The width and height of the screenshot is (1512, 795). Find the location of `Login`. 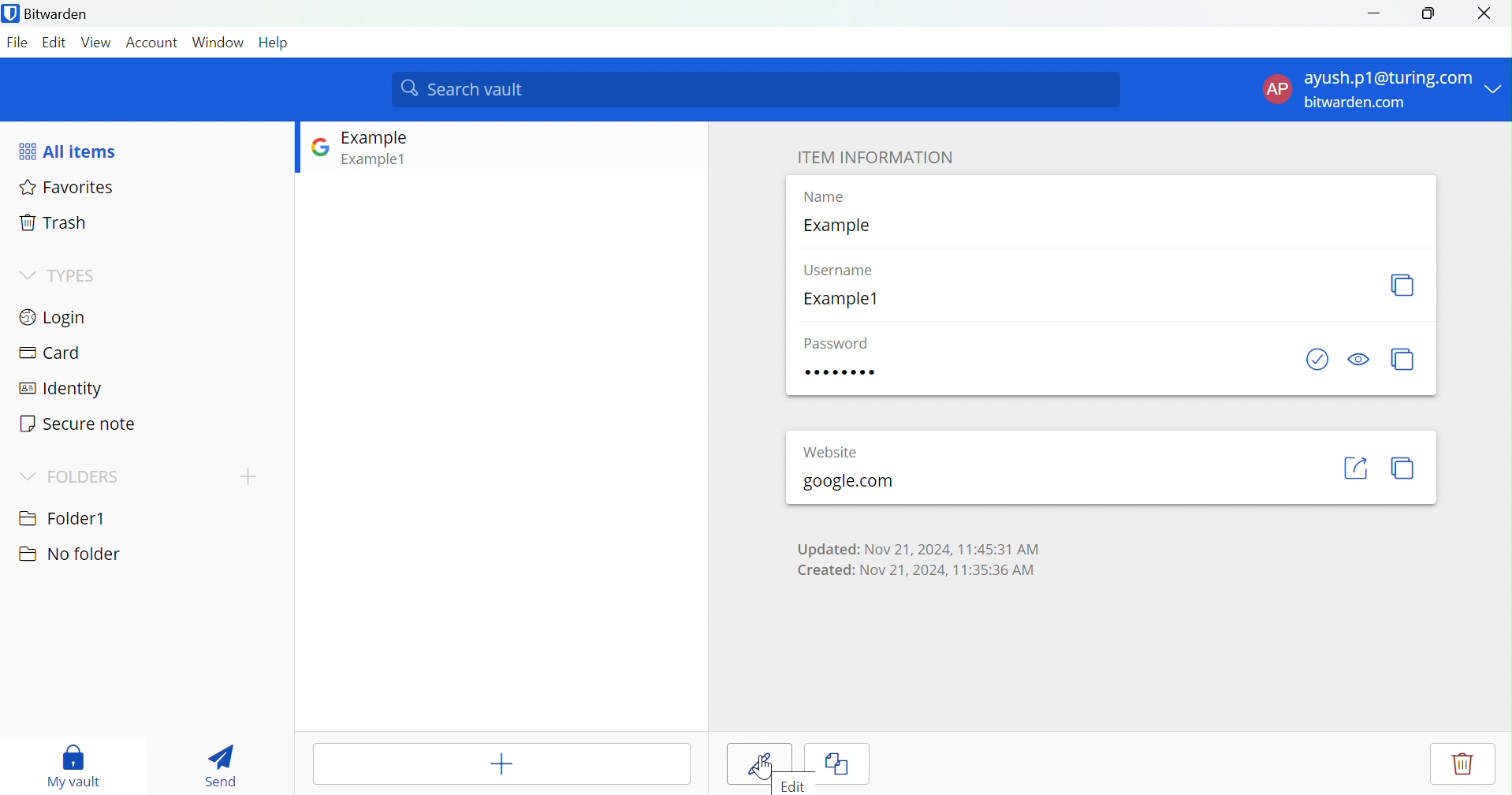

Login is located at coordinates (56, 316).